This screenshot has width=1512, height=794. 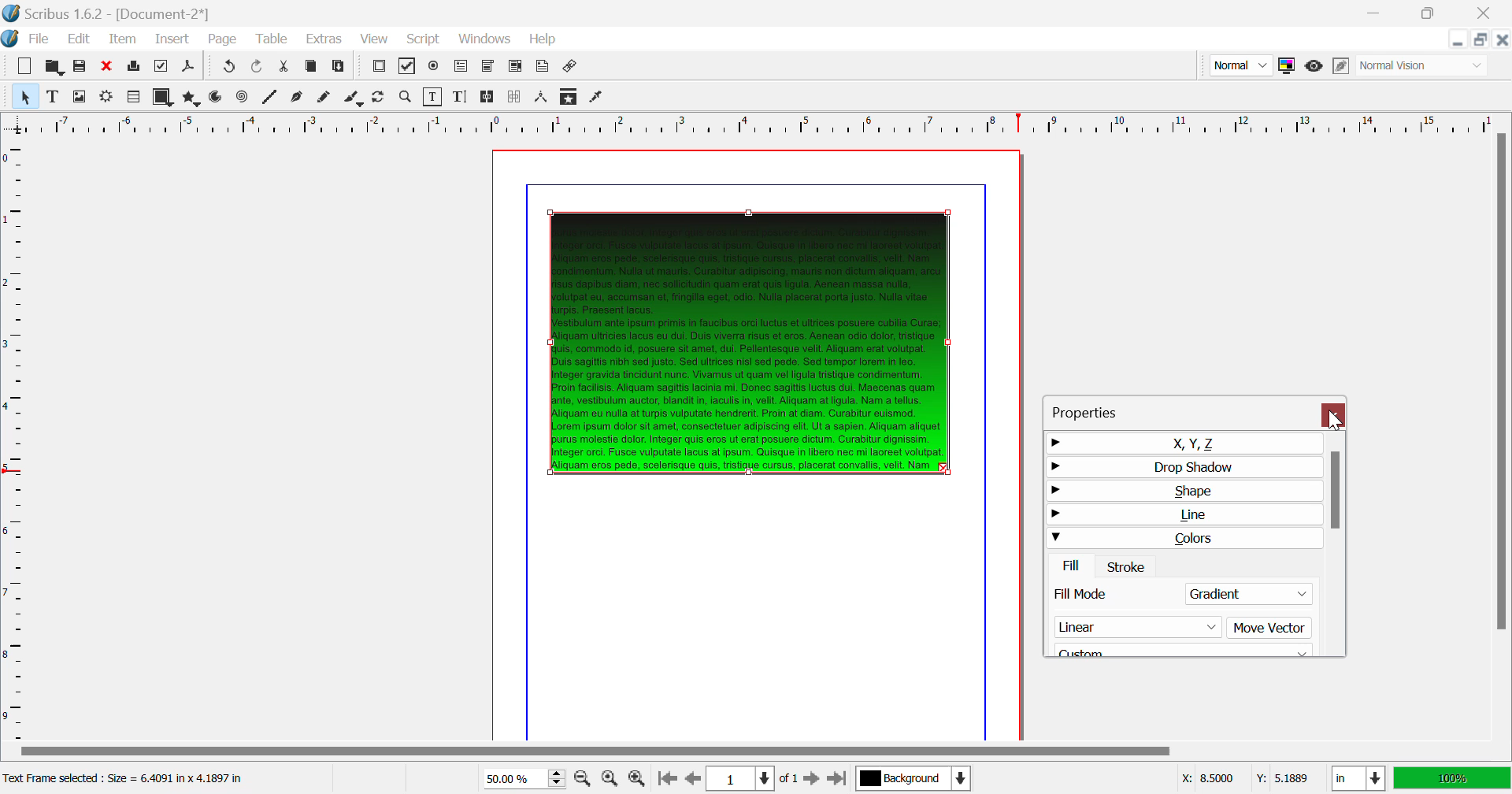 What do you see at coordinates (811, 777) in the screenshot?
I see `Next Page` at bounding box center [811, 777].